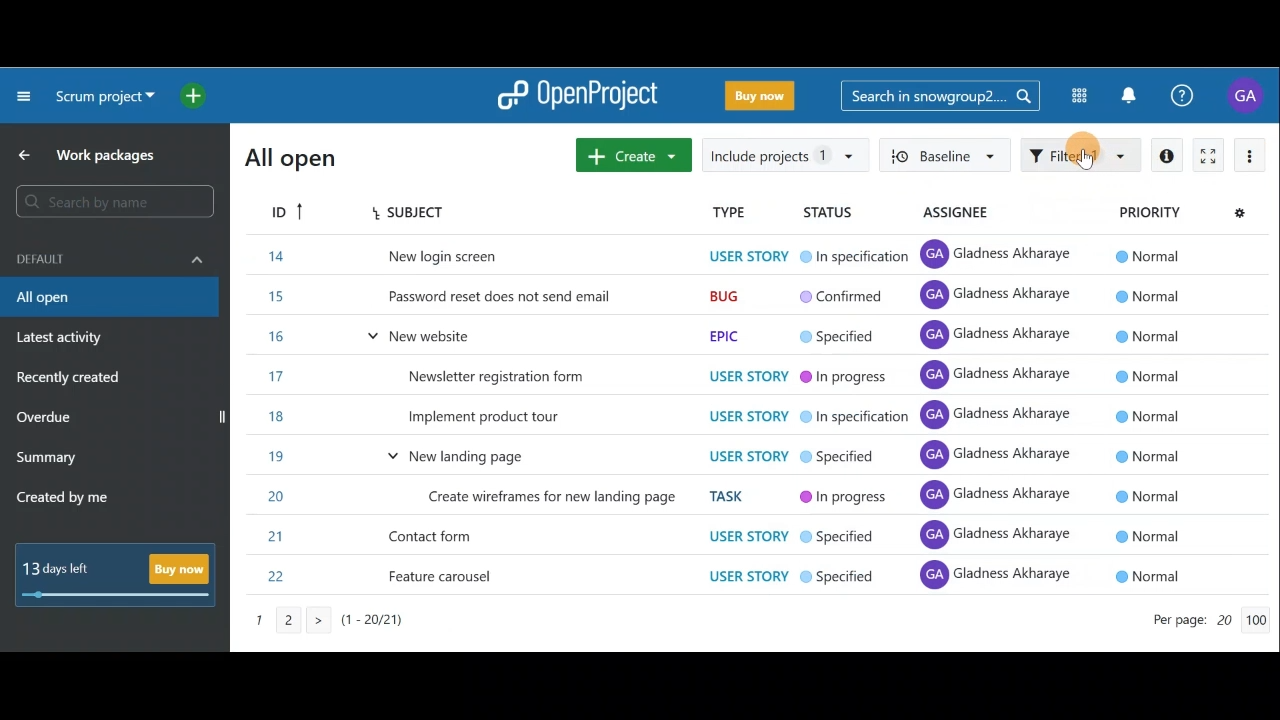 The width and height of the screenshot is (1280, 720). I want to click on Latest activity, so click(62, 340).